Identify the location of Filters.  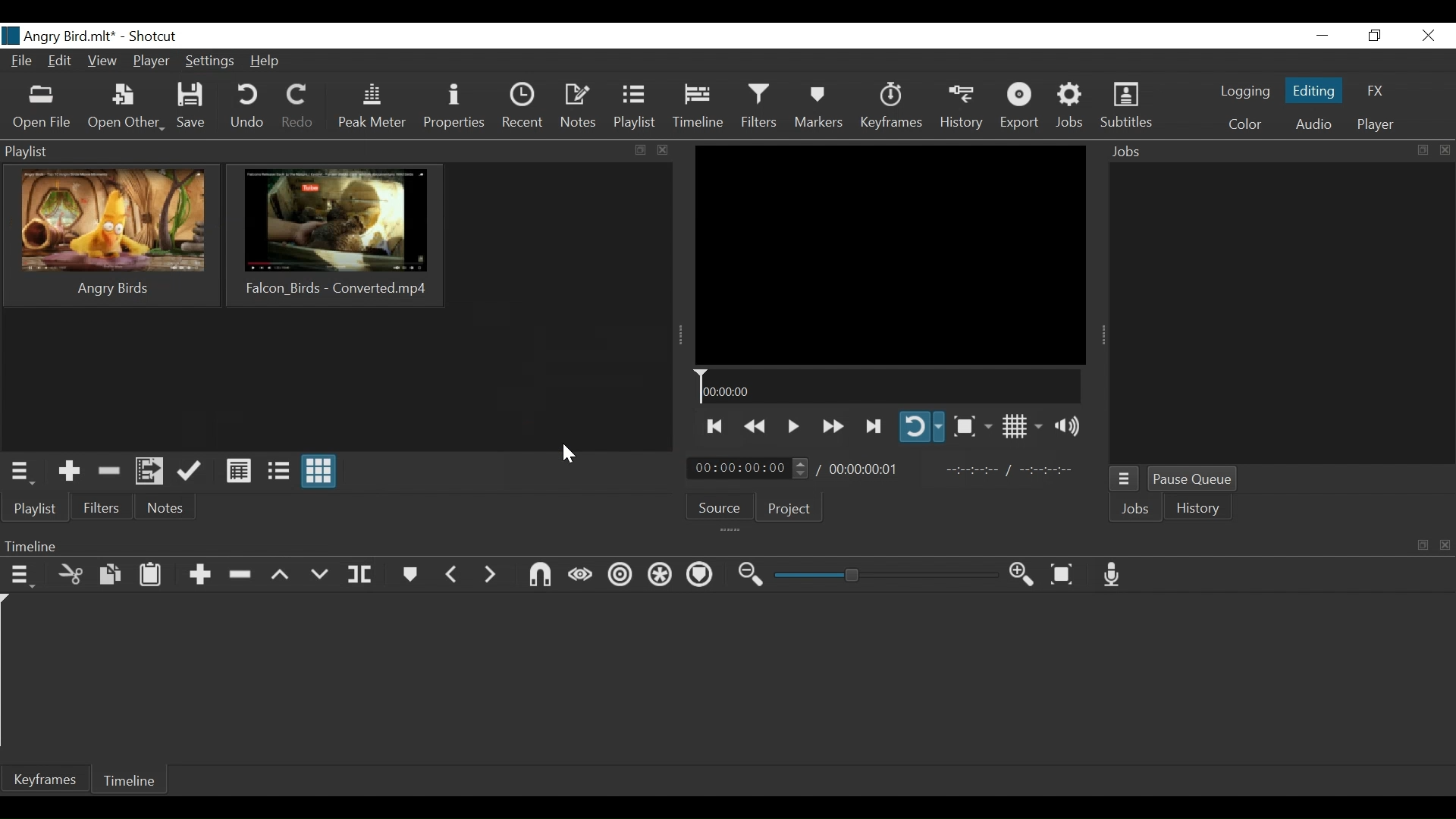
(104, 508).